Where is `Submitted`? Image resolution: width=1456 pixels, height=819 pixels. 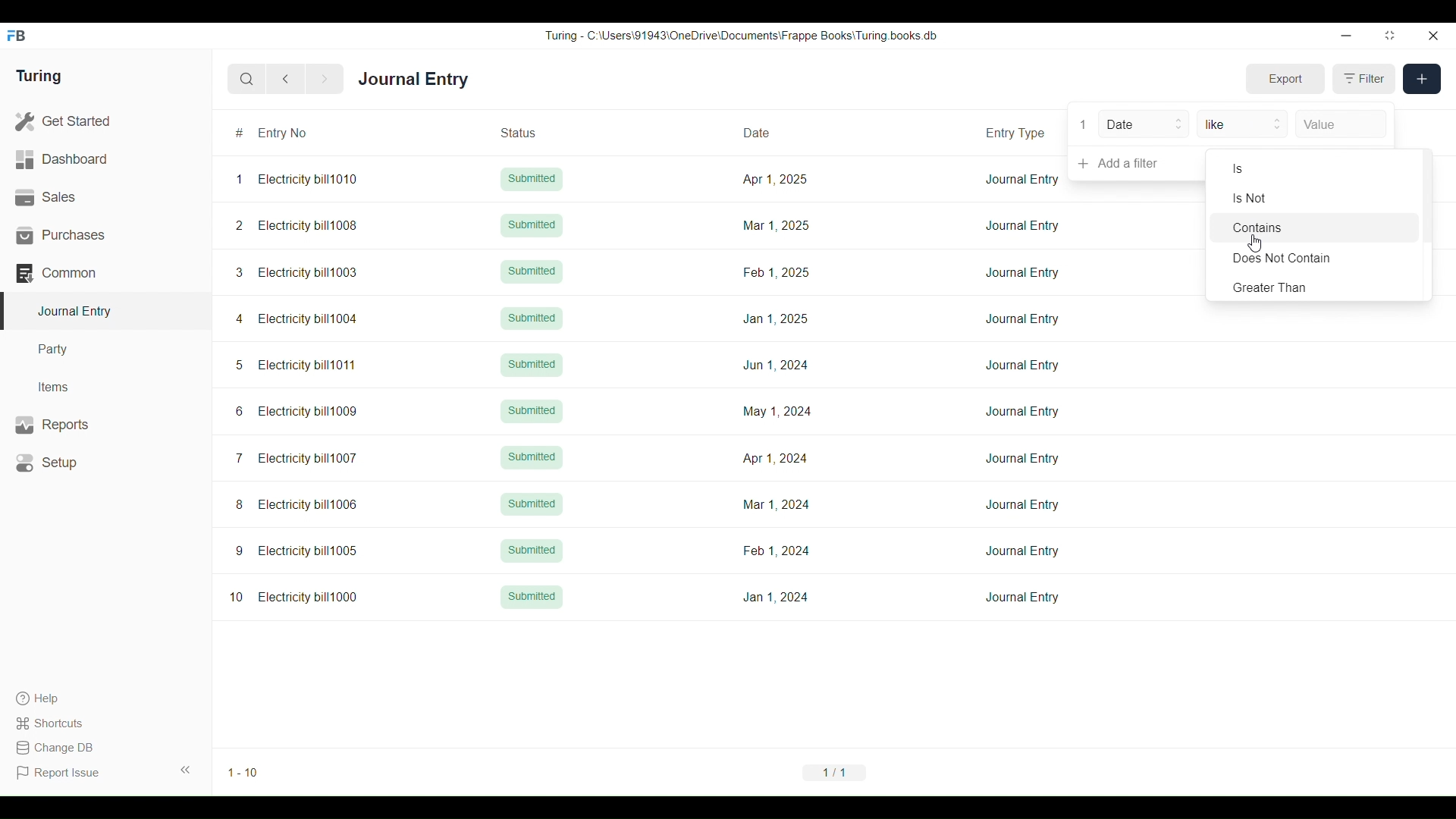
Submitted is located at coordinates (531, 318).